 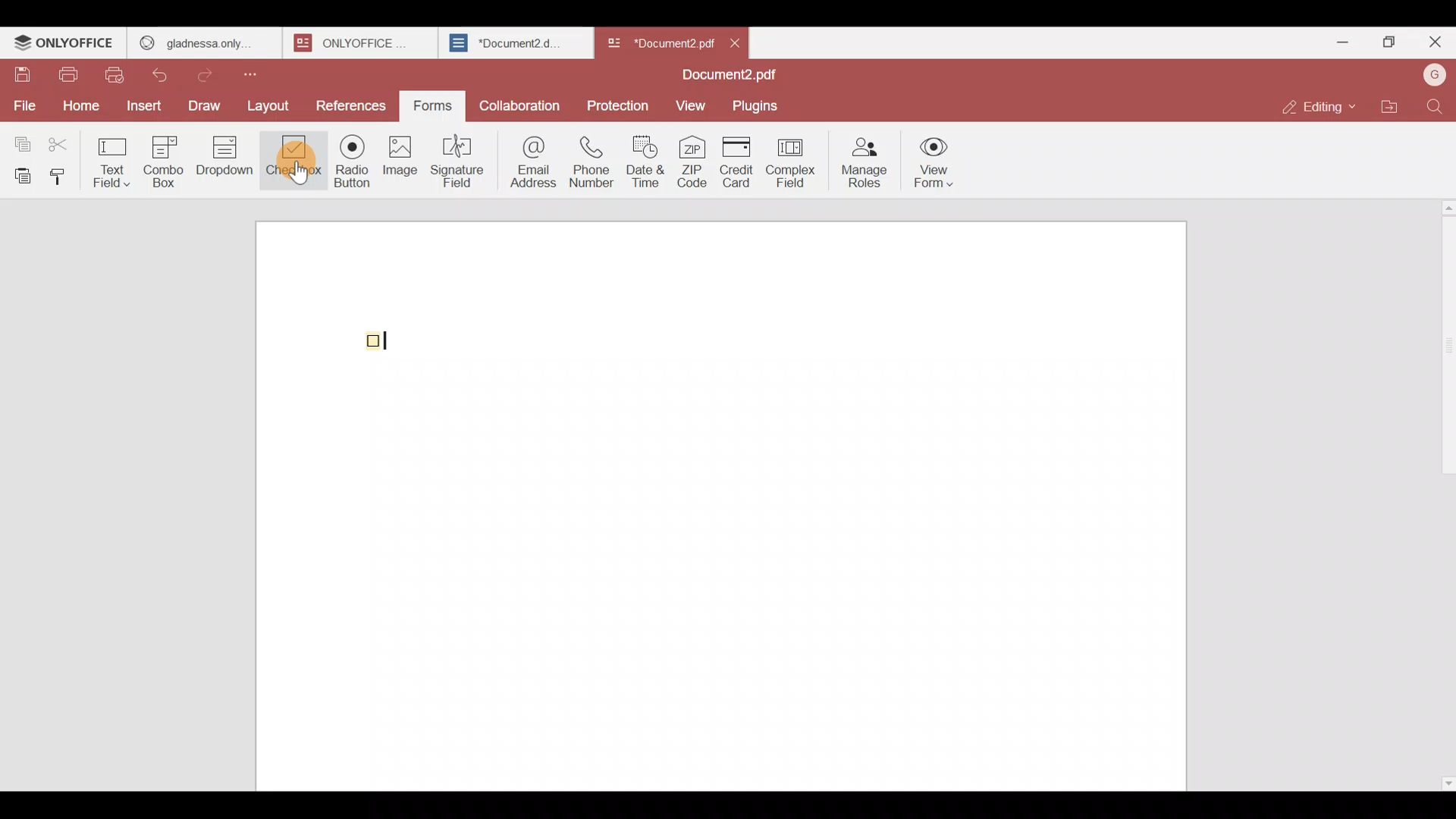 I want to click on Save, so click(x=22, y=75).